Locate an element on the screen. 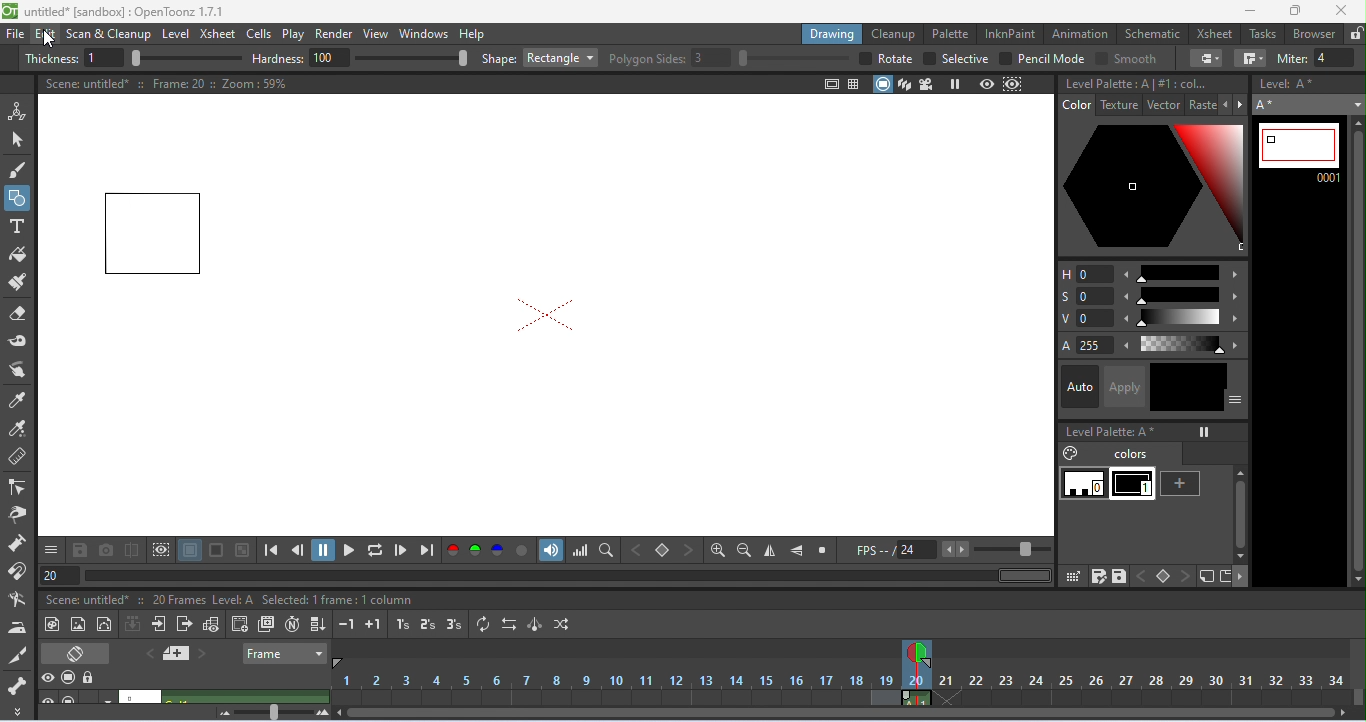 This screenshot has width=1366, height=722. polygon slides is located at coordinates (730, 58).